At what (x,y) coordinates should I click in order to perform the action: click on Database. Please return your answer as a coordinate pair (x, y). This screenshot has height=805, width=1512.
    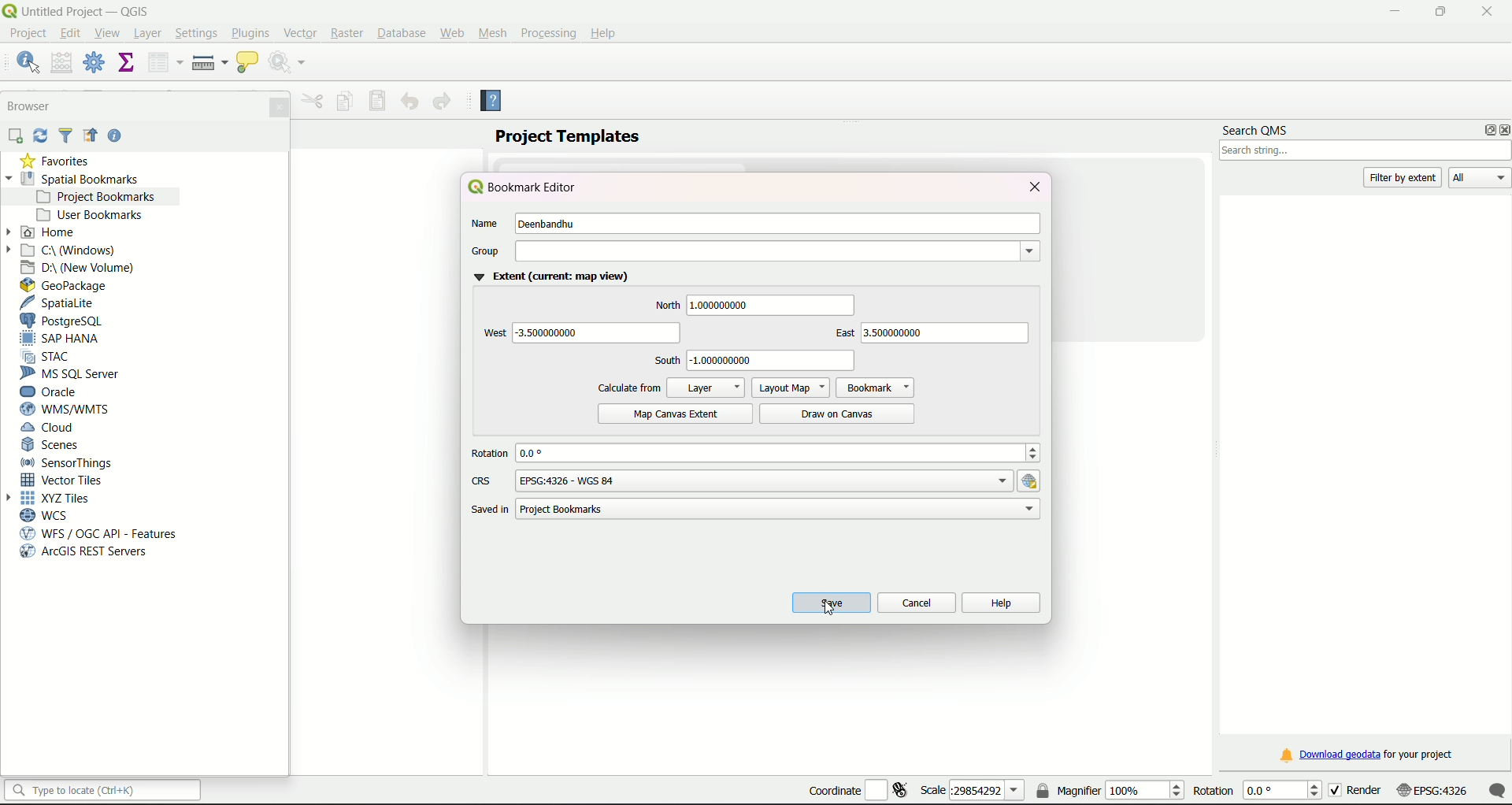
    Looking at the image, I should click on (399, 33).